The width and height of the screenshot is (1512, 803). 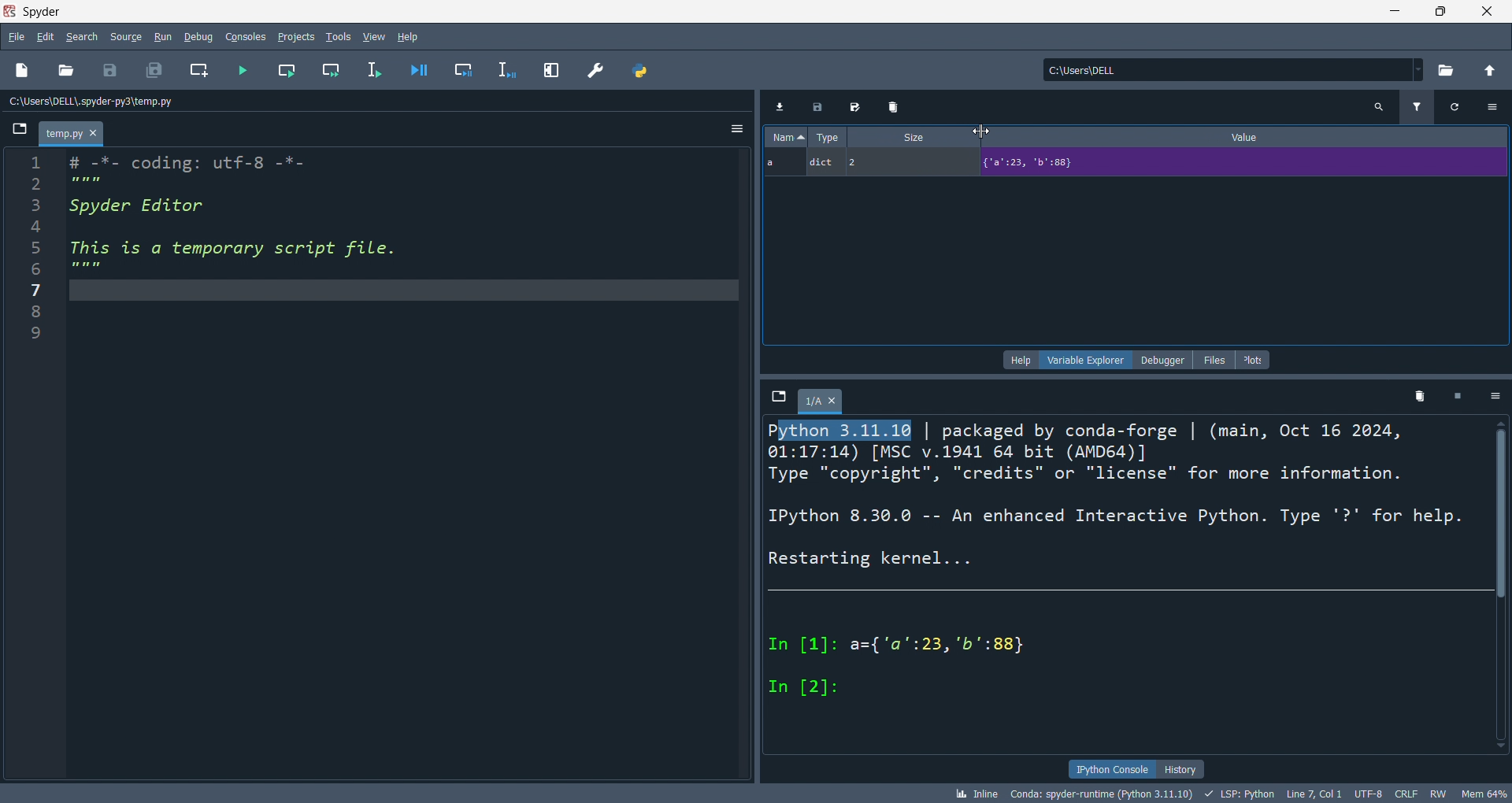 What do you see at coordinates (366, 101) in the screenshot?
I see `file locations` at bounding box center [366, 101].